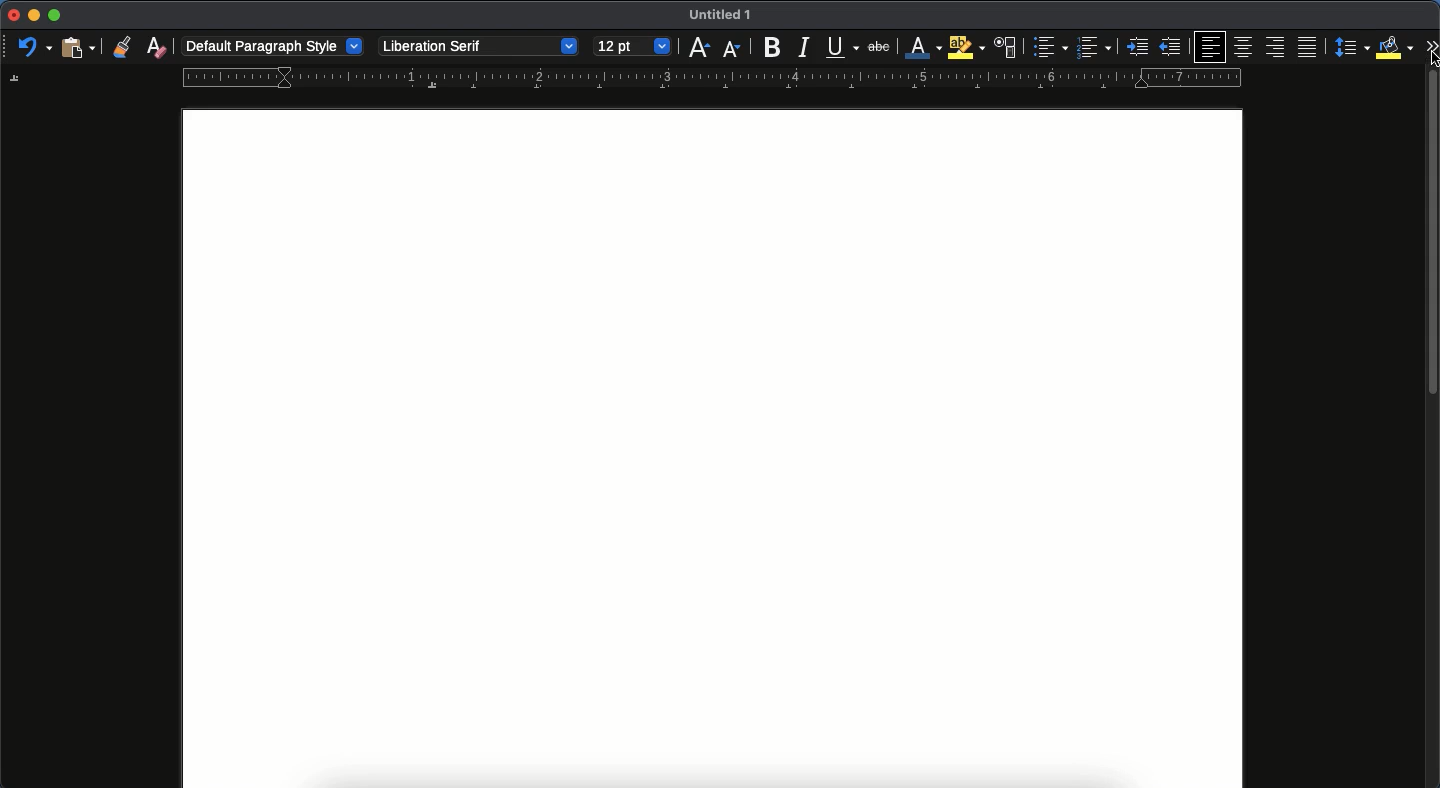  I want to click on maximize, so click(54, 16).